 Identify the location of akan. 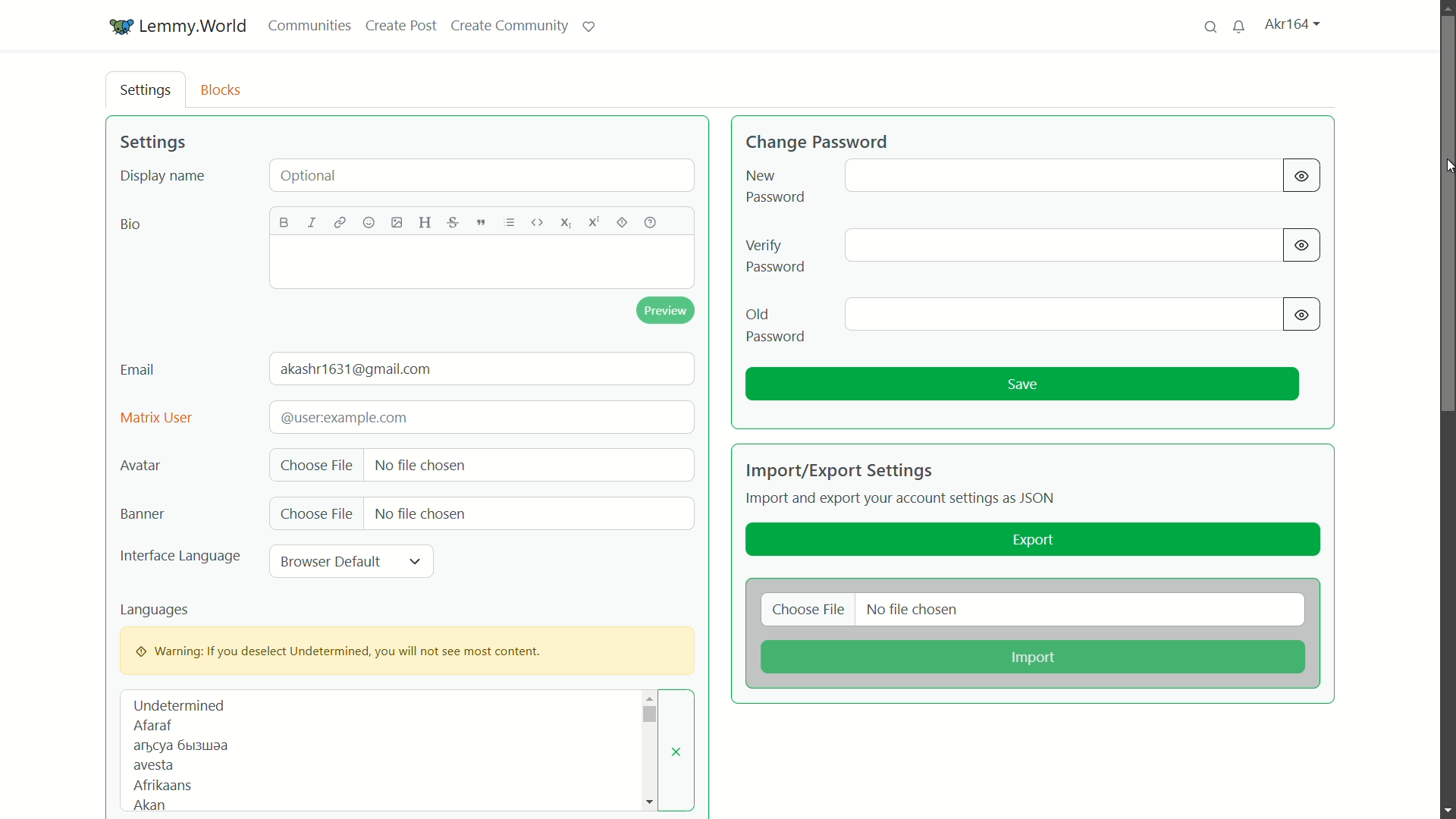
(146, 806).